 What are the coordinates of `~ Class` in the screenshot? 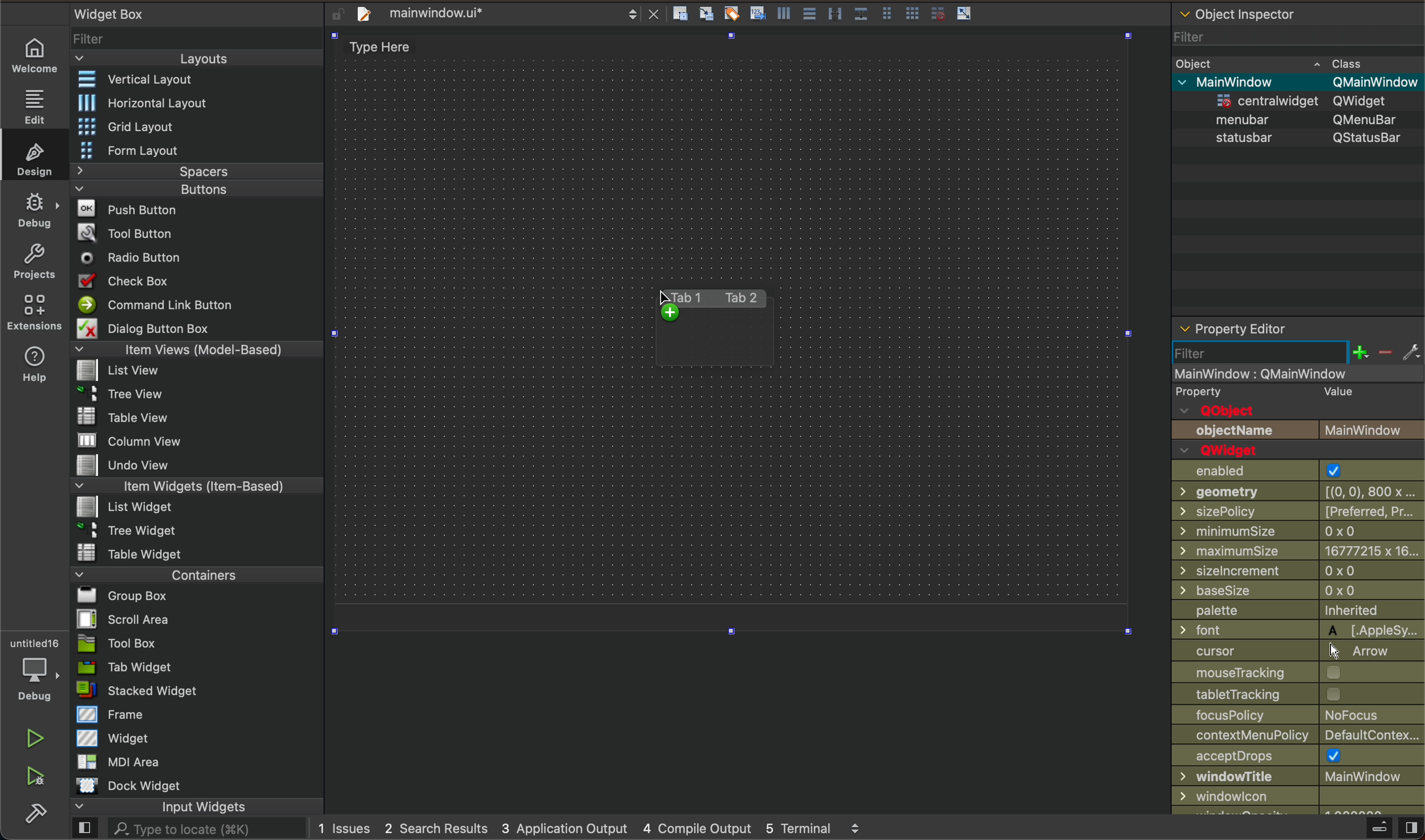 It's located at (1342, 60).